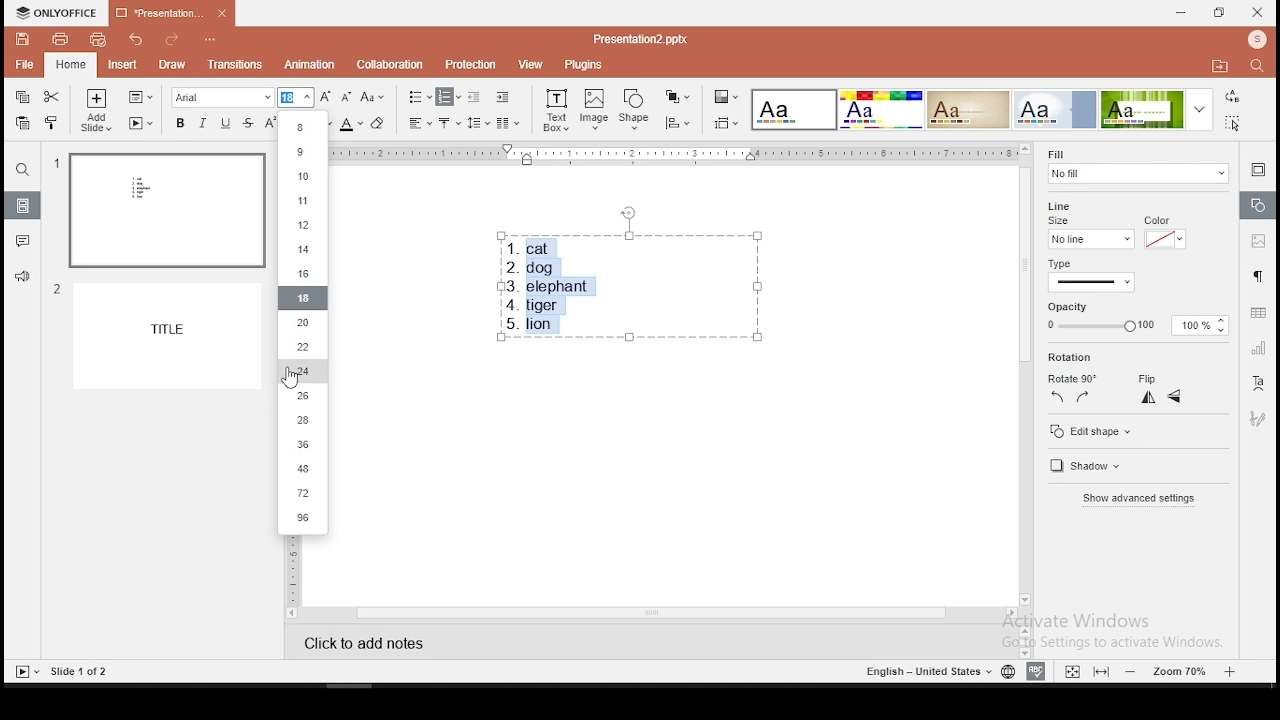 Image resolution: width=1280 pixels, height=720 pixels. I want to click on text, so click(631, 286).